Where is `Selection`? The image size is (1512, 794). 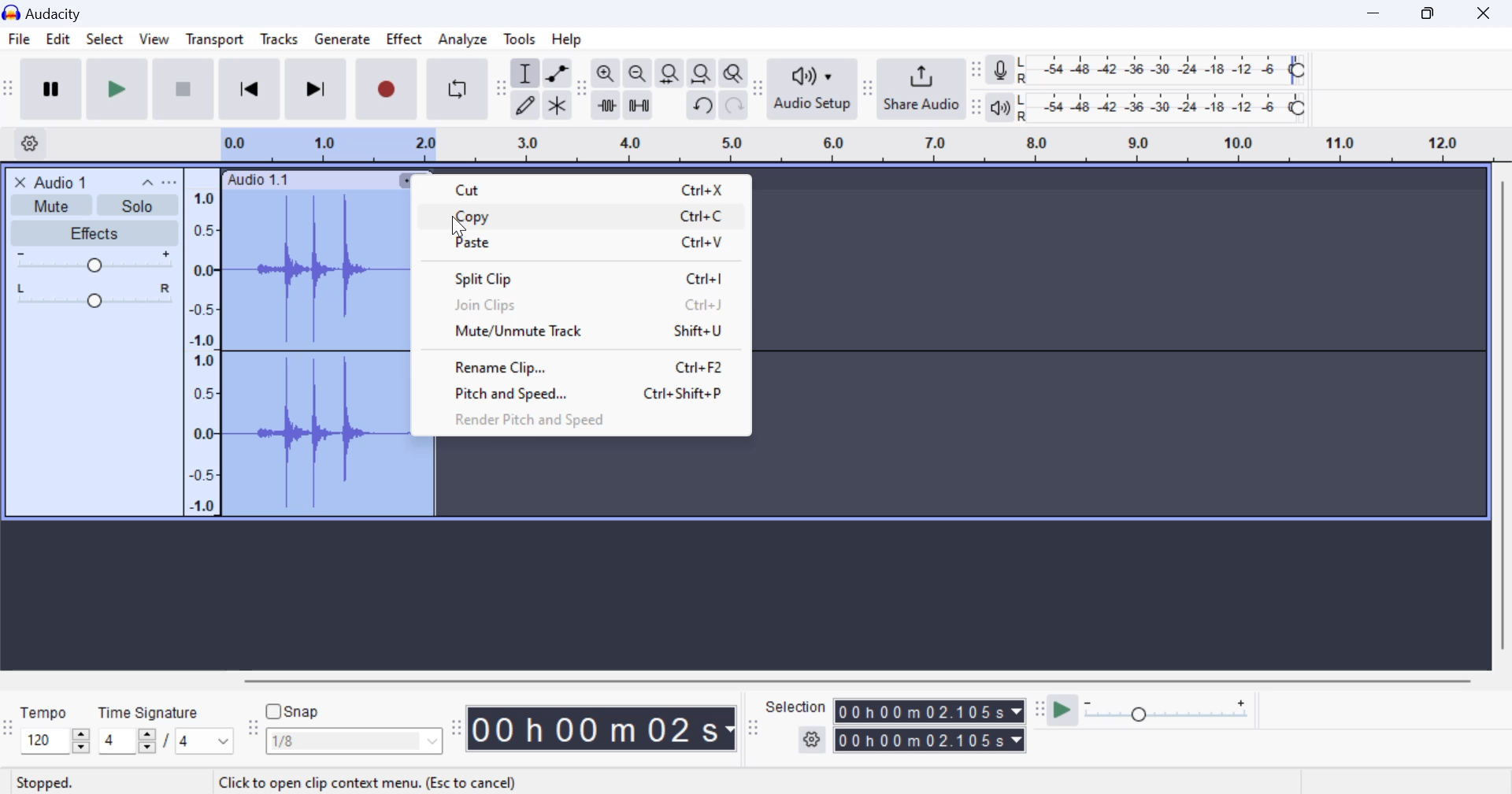 Selection is located at coordinates (796, 707).